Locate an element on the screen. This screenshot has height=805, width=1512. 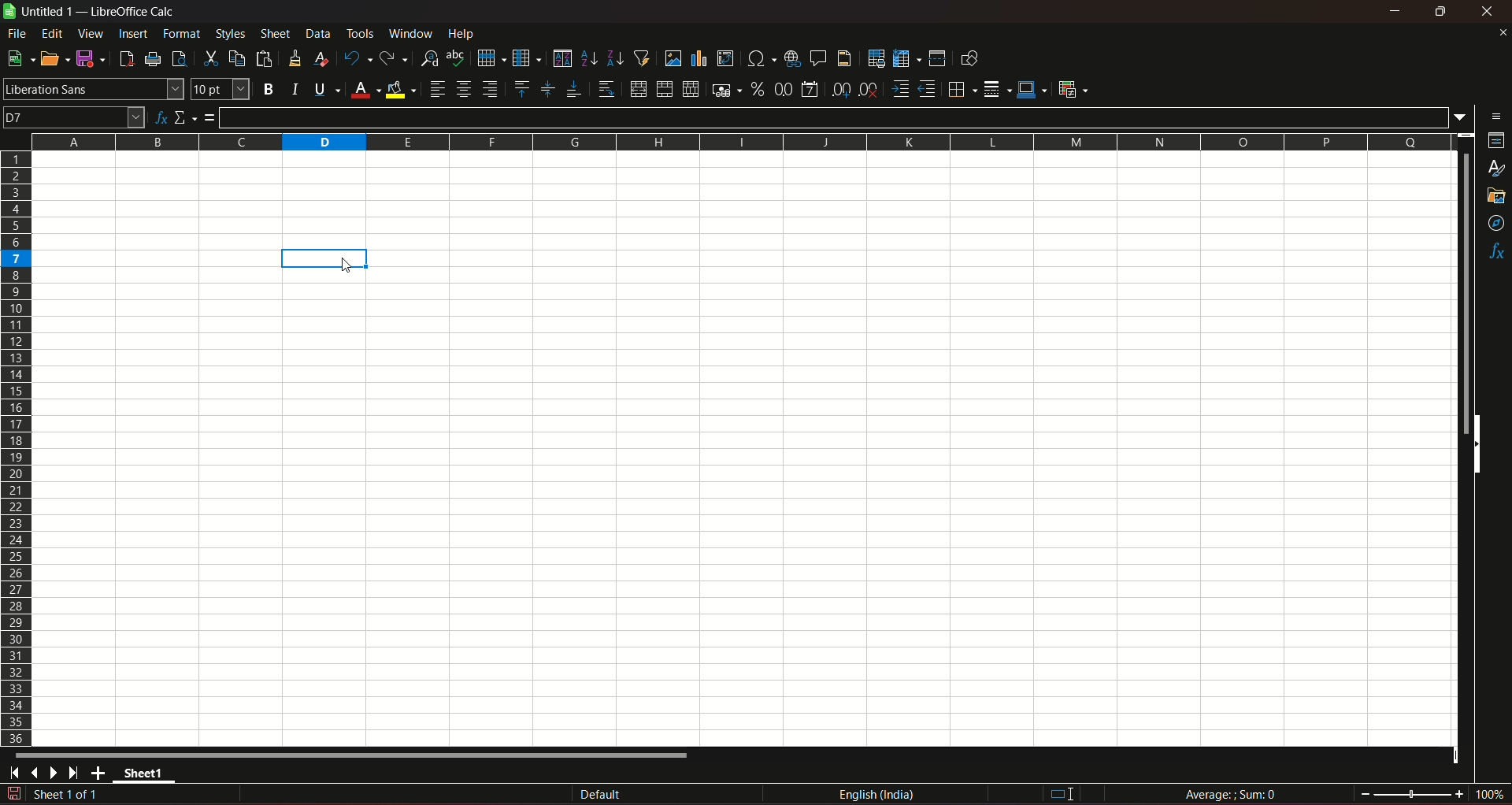
font name is located at coordinates (93, 88).